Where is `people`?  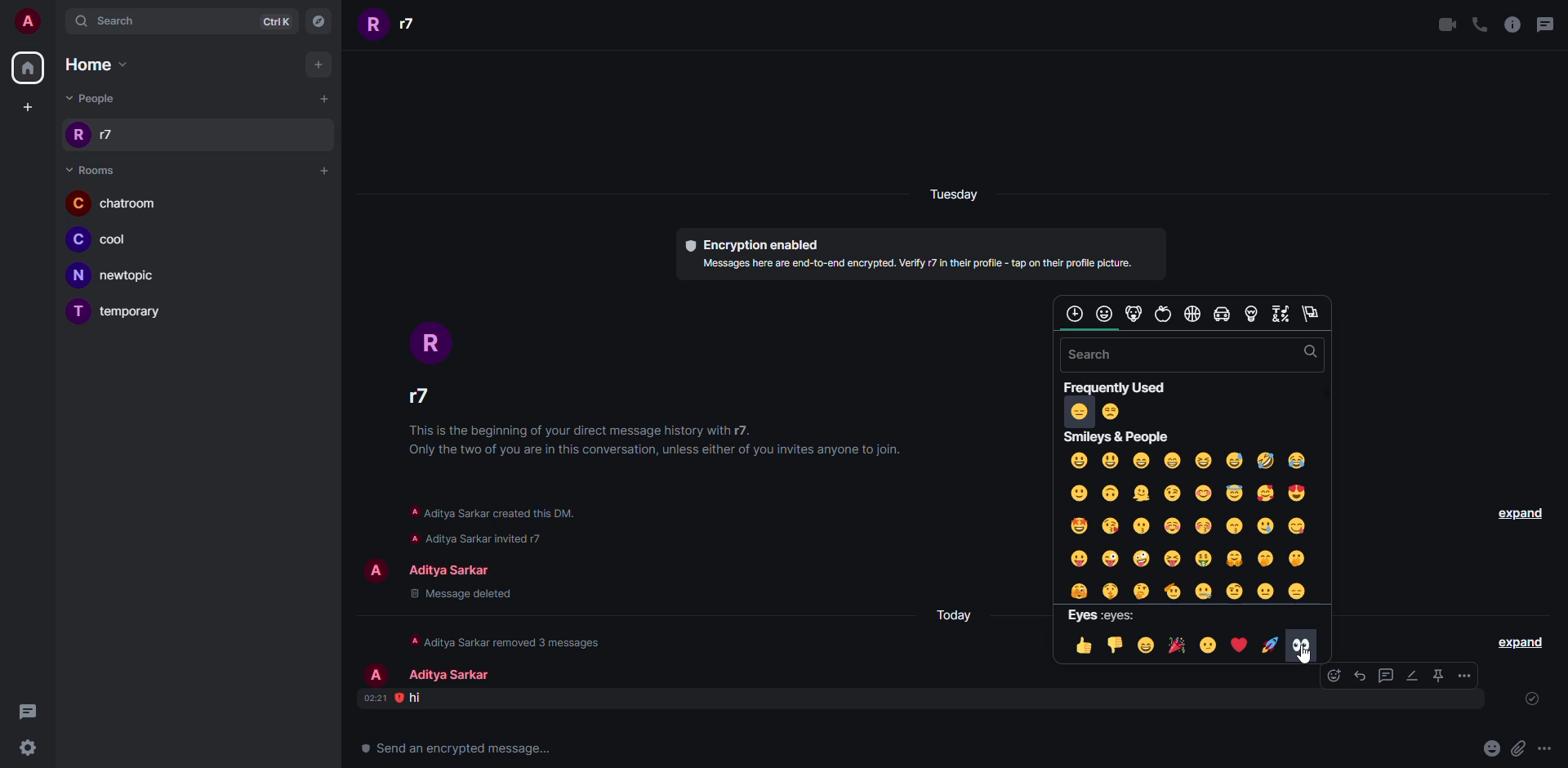
people is located at coordinates (394, 27).